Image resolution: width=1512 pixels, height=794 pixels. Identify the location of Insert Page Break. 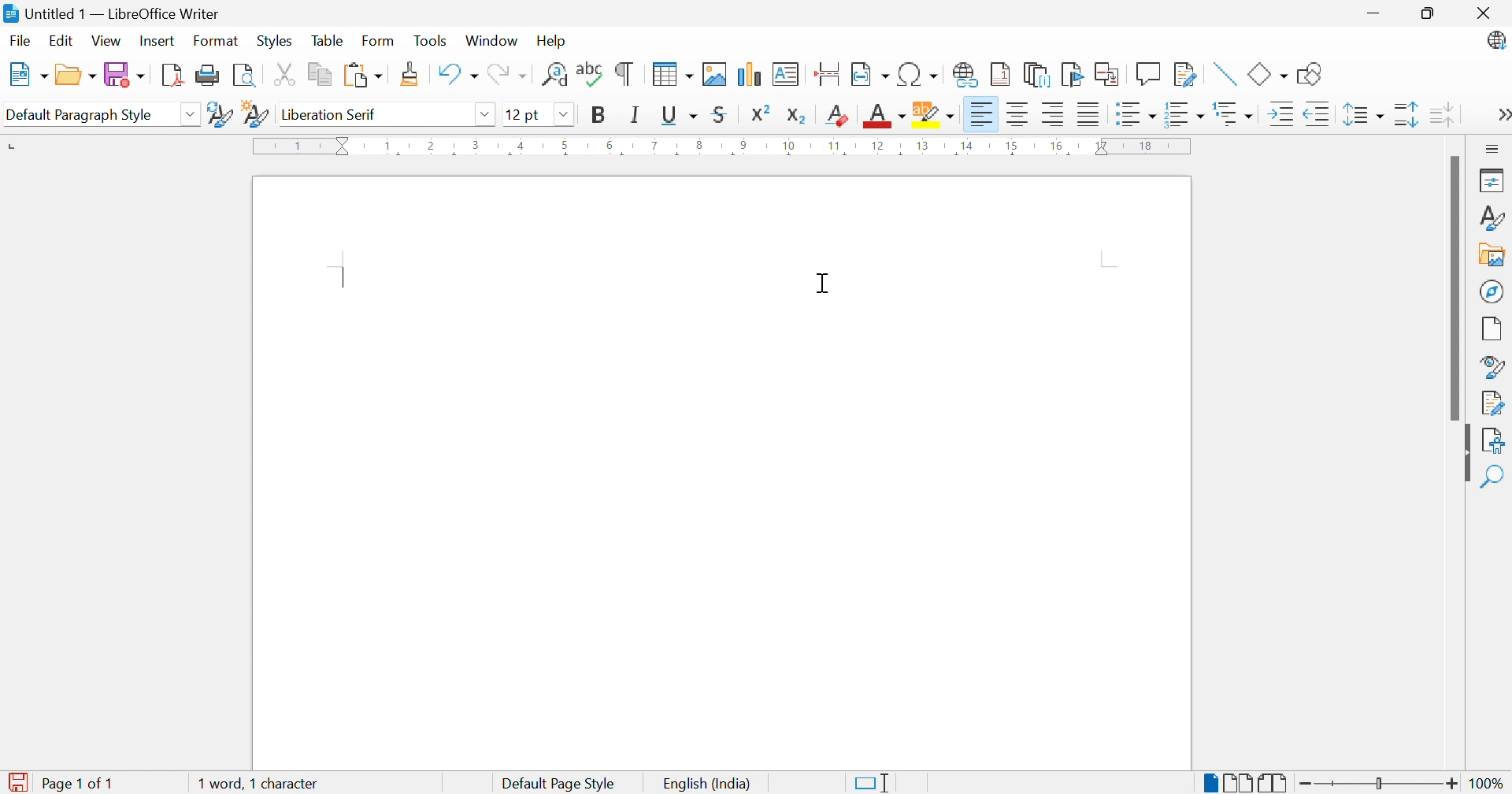
(828, 74).